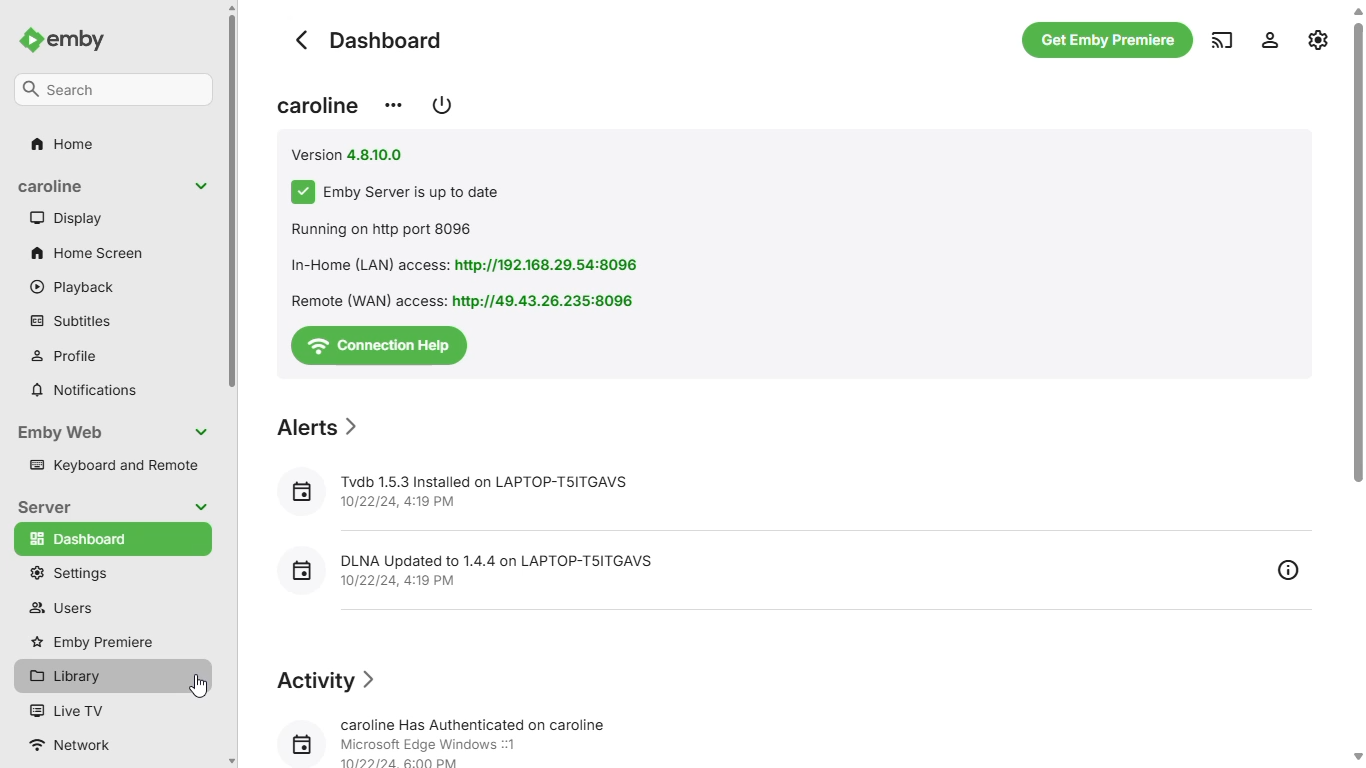 This screenshot has width=1366, height=768. What do you see at coordinates (67, 355) in the screenshot?
I see `profile` at bounding box center [67, 355].